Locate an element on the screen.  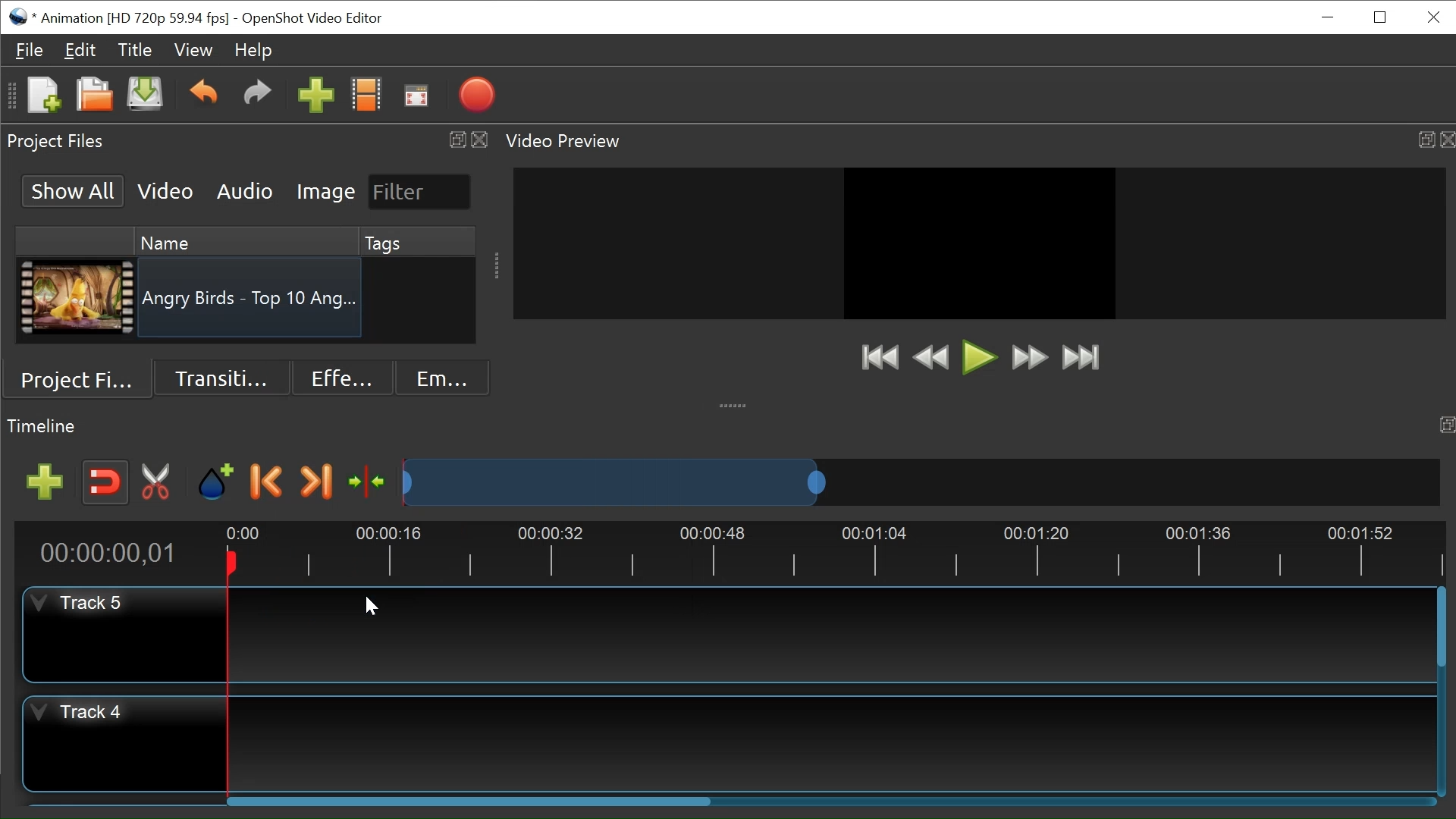
Maximize is located at coordinates (1447, 426).